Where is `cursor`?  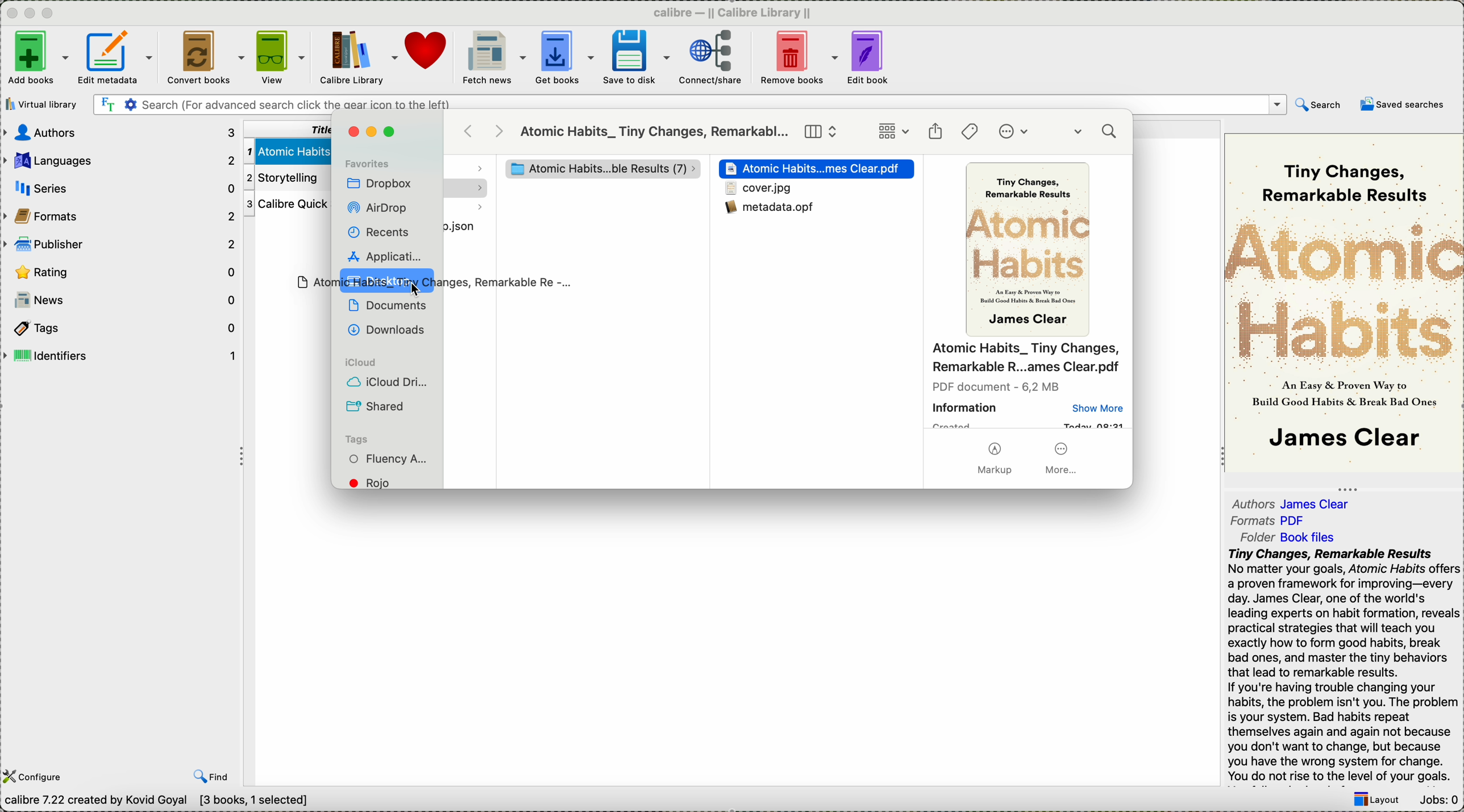
cursor is located at coordinates (420, 290).